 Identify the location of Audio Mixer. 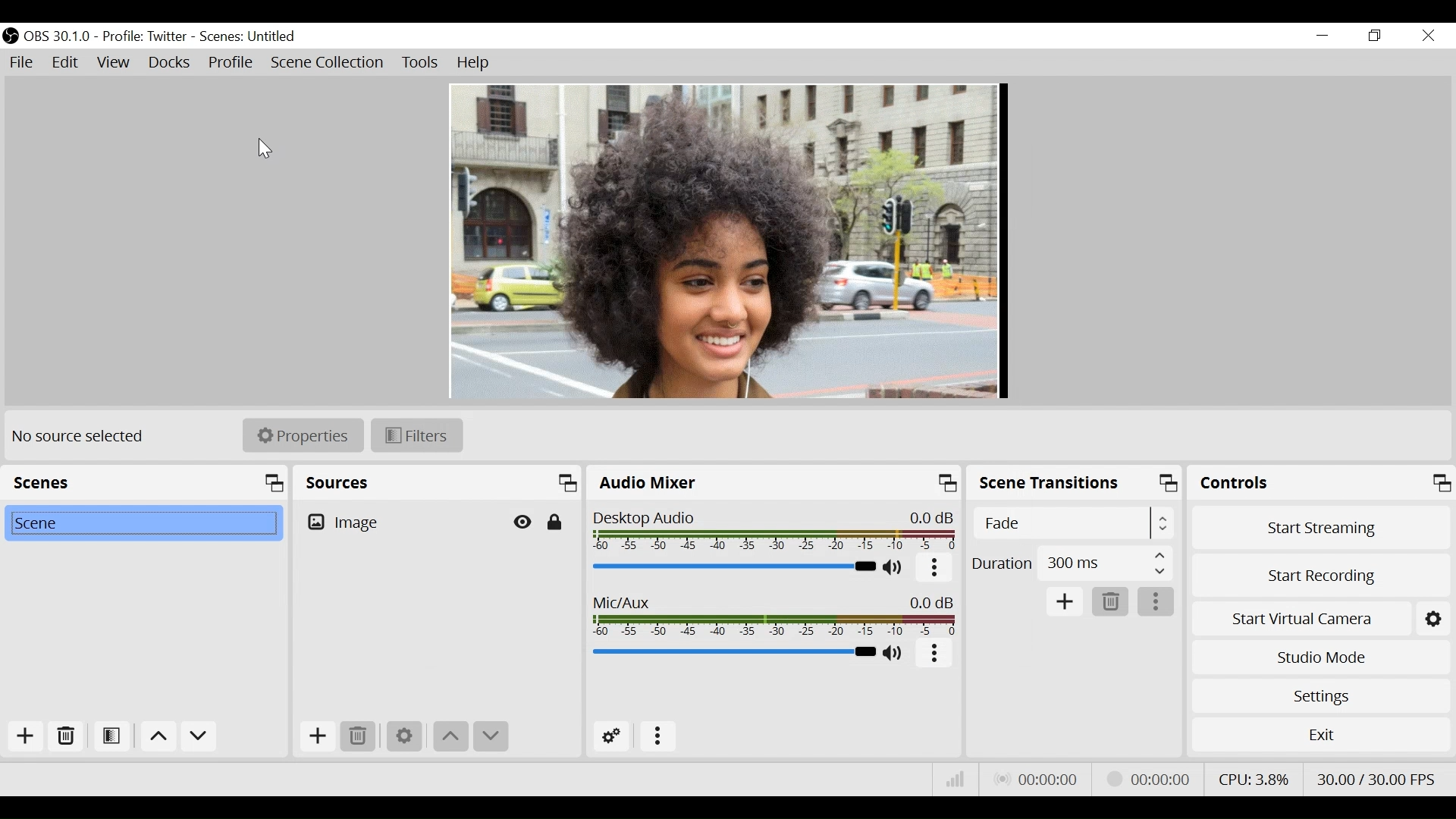
(775, 483).